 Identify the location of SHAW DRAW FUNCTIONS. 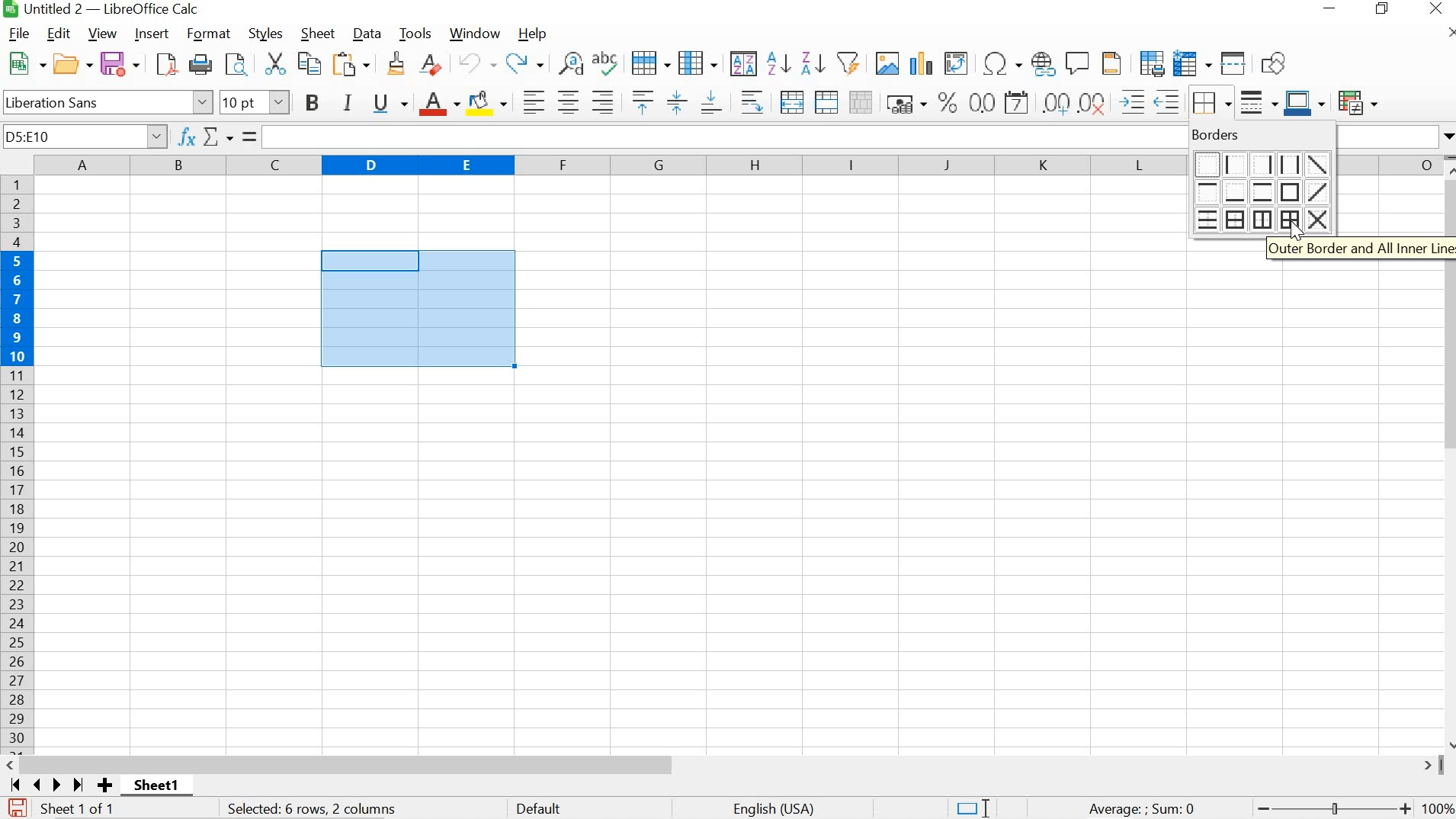
(1277, 62).